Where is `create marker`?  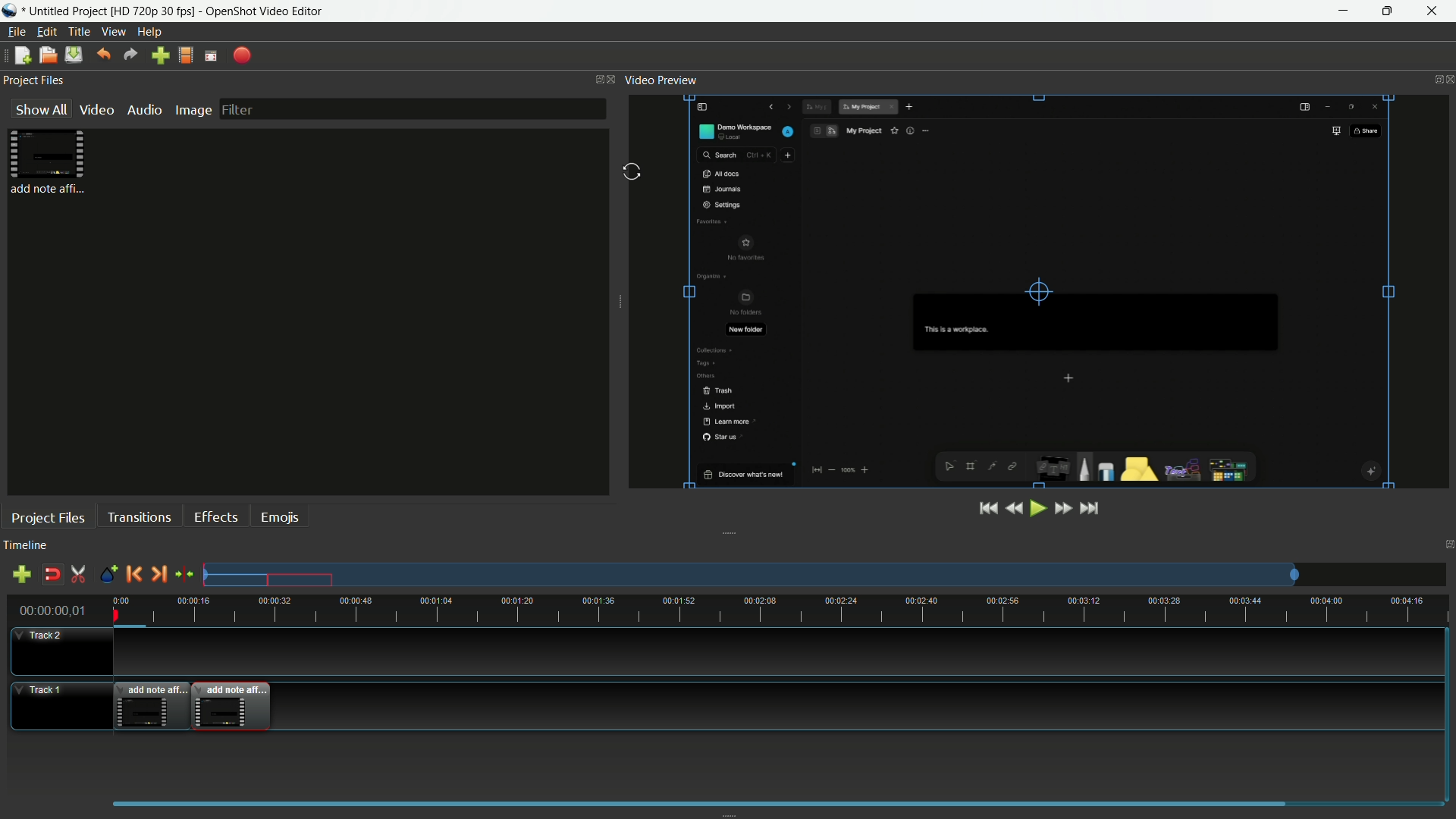
create marker is located at coordinates (108, 575).